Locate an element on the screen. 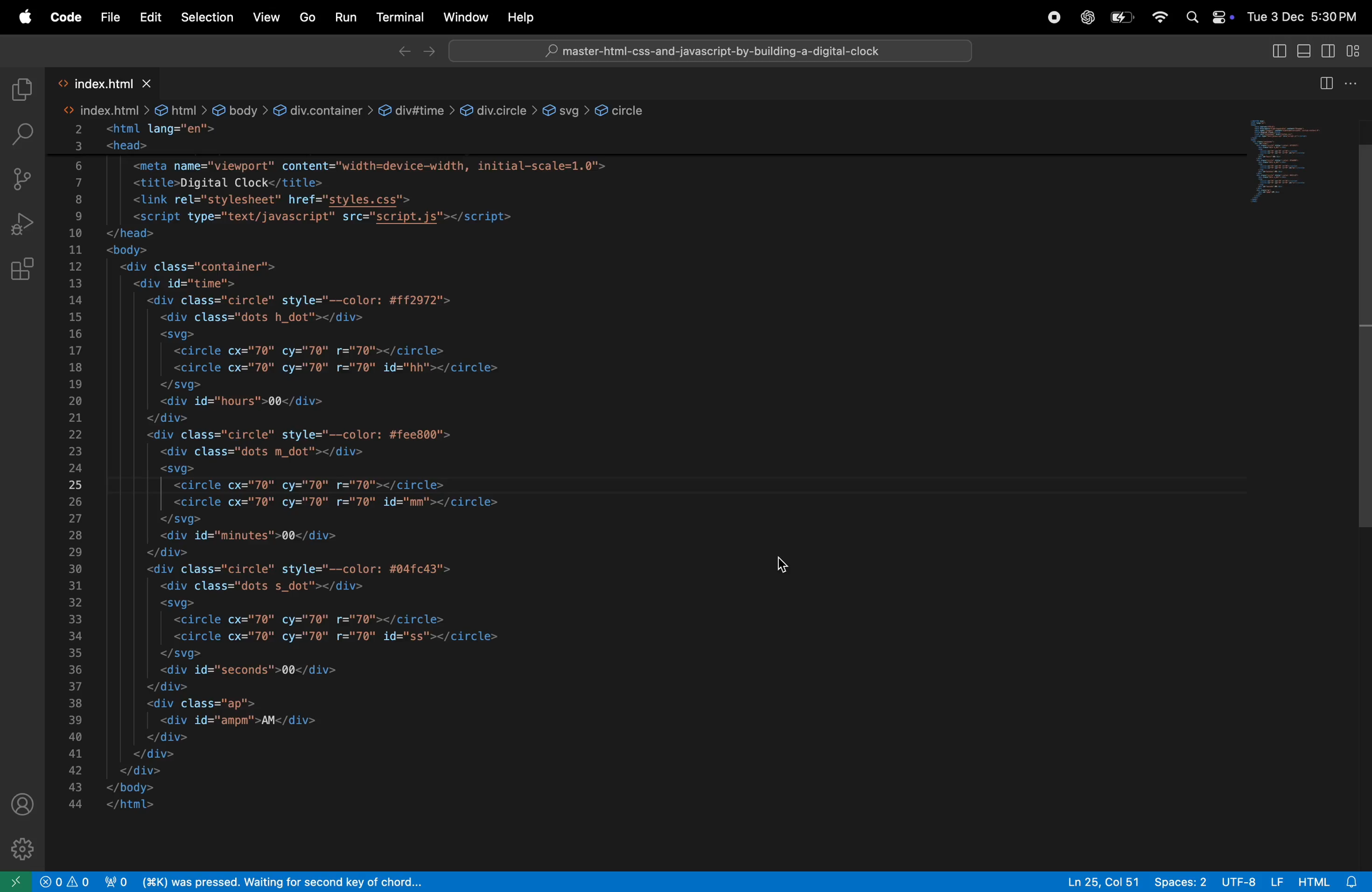  code block is located at coordinates (422, 458).